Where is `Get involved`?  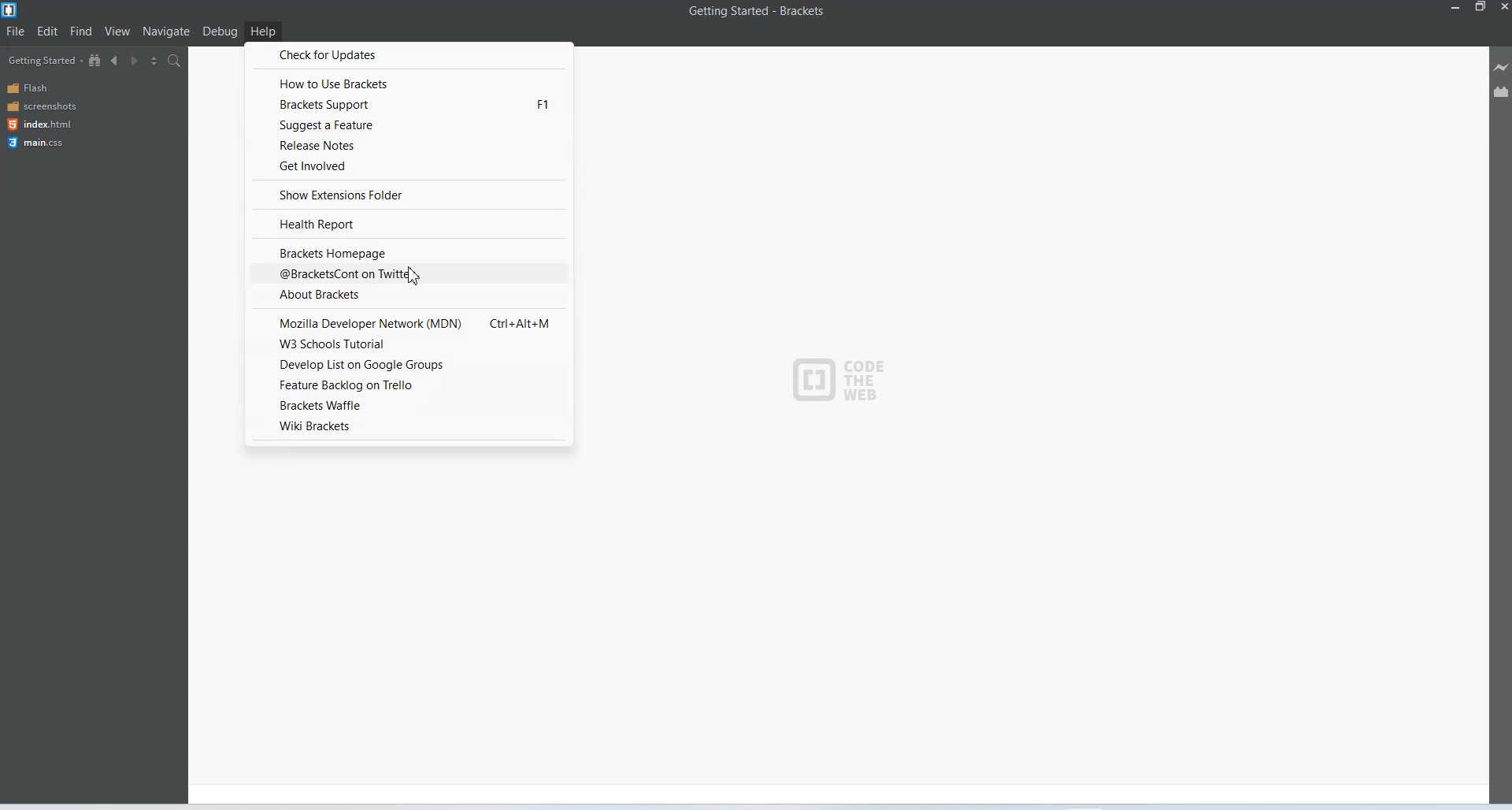
Get involved is located at coordinates (411, 166).